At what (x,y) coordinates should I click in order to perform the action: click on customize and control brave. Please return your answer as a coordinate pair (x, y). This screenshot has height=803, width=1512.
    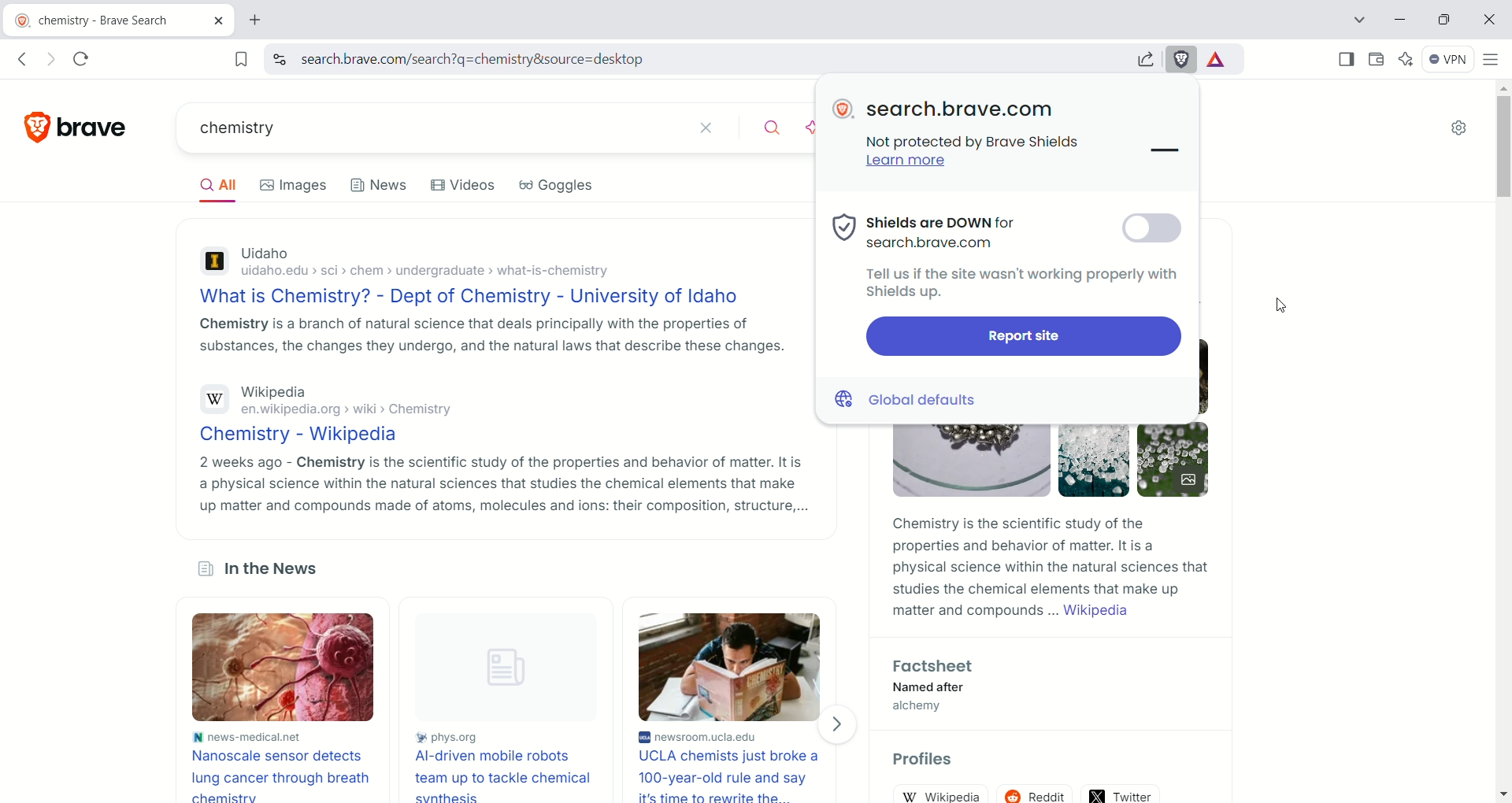
    Looking at the image, I should click on (1494, 62).